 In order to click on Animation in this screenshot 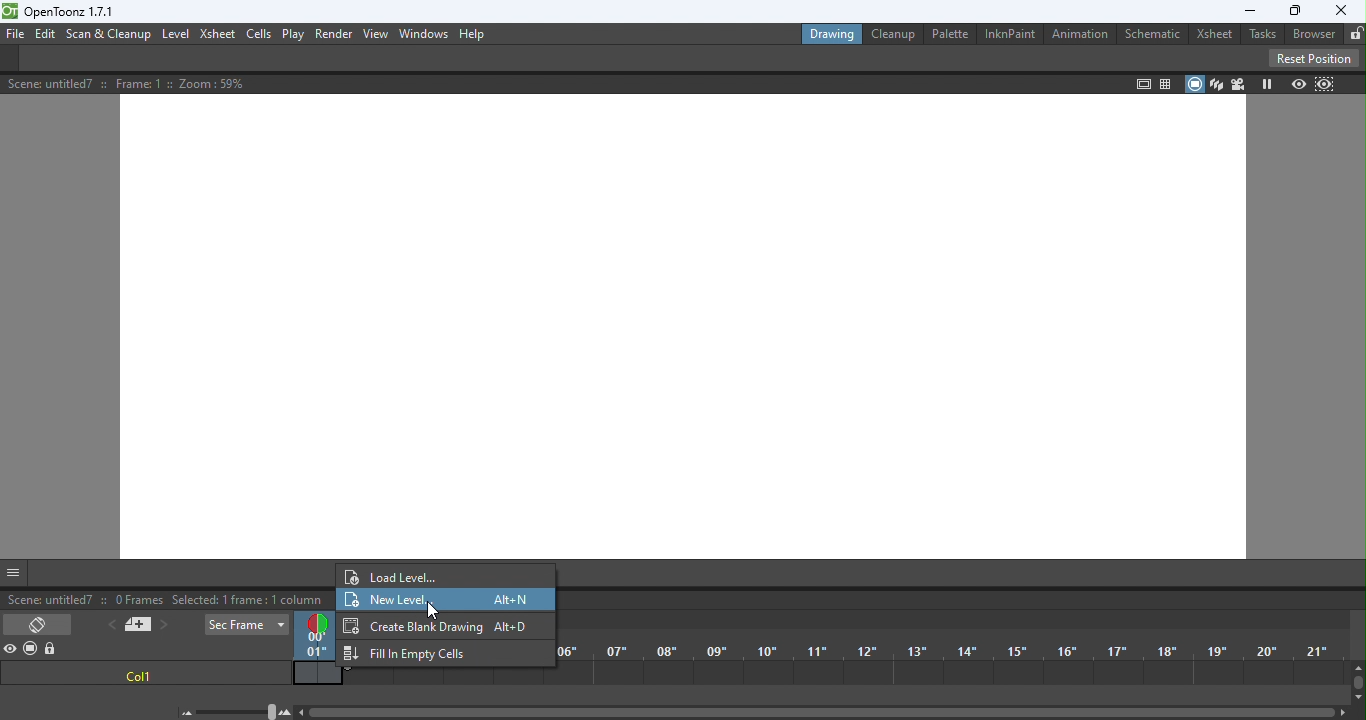, I will do `click(1076, 34)`.